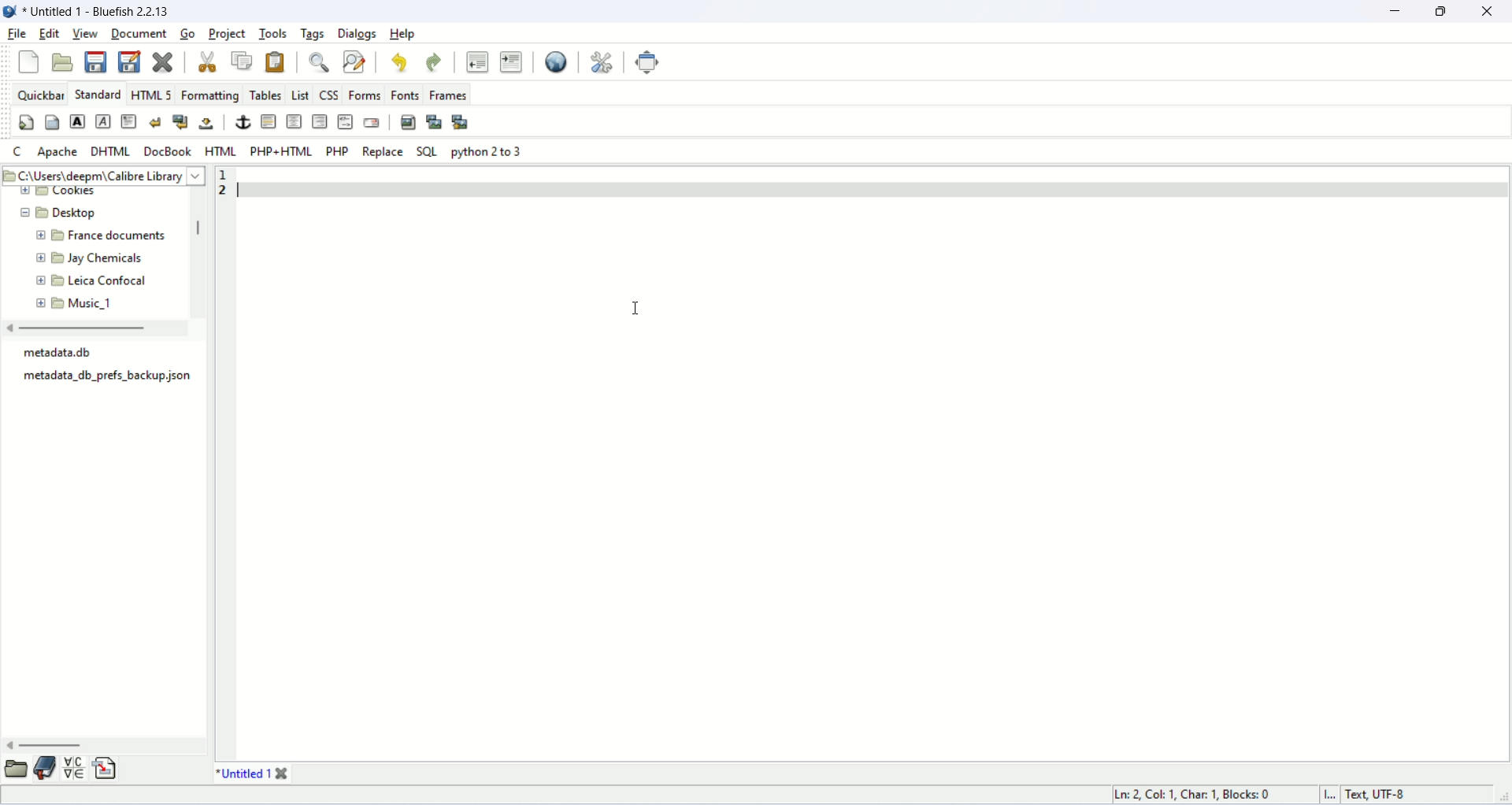  What do you see at coordinates (30, 63) in the screenshot?
I see `new file` at bounding box center [30, 63].